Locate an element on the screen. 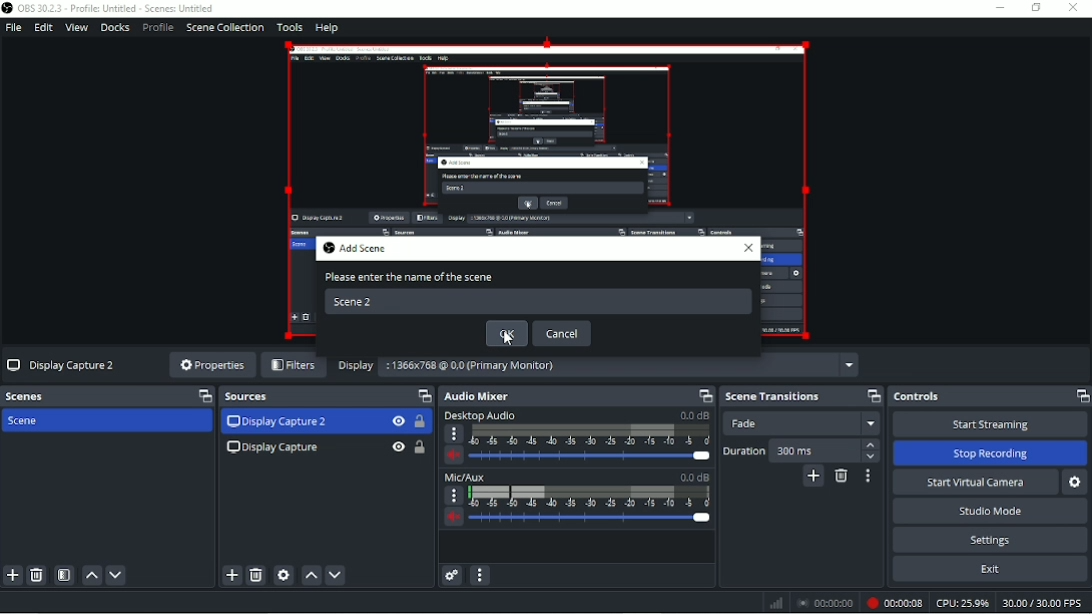 This screenshot has height=614, width=1092. Scene is located at coordinates (36, 422).